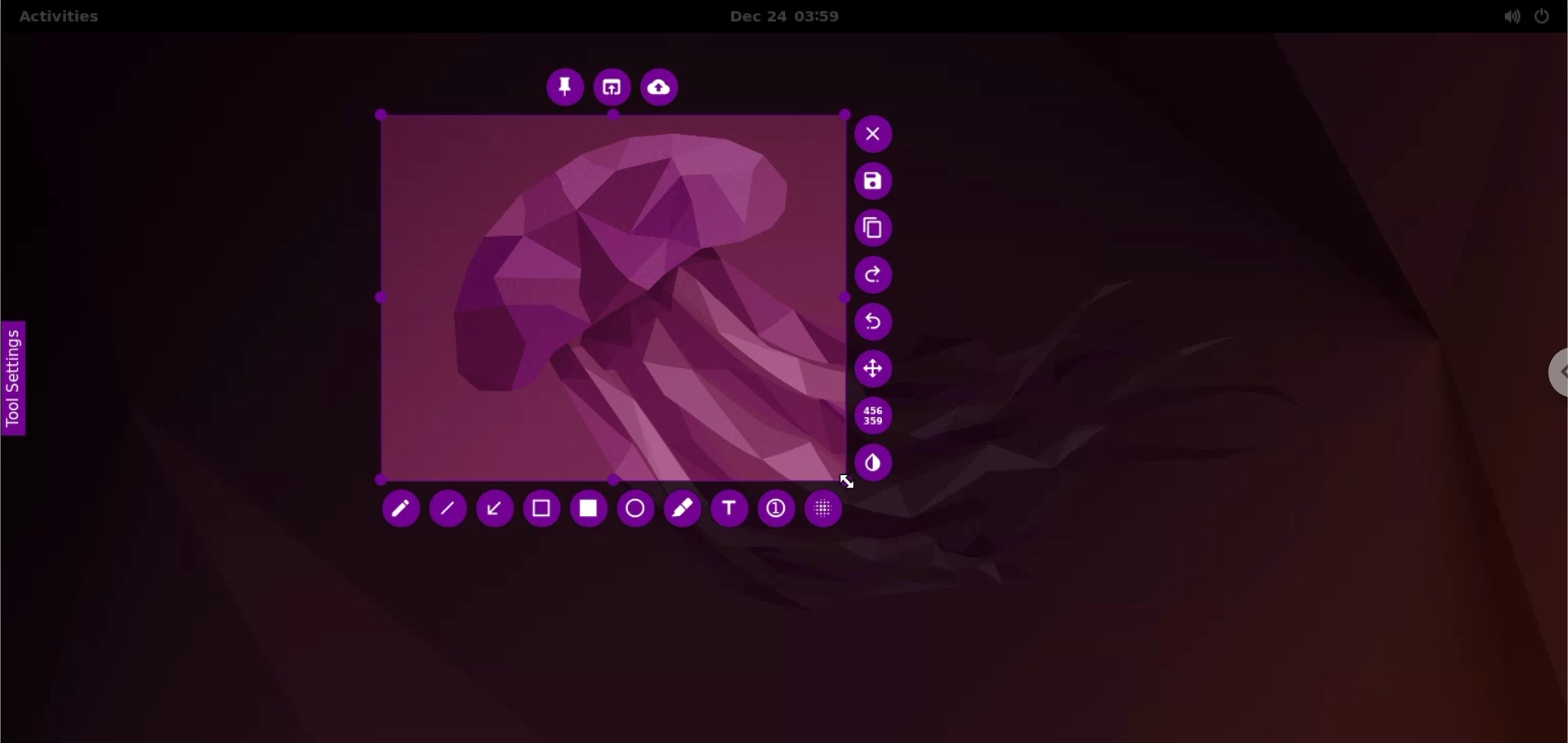  Describe the element at coordinates (840, 479) in the screenshot. I see `cursor` at that location.